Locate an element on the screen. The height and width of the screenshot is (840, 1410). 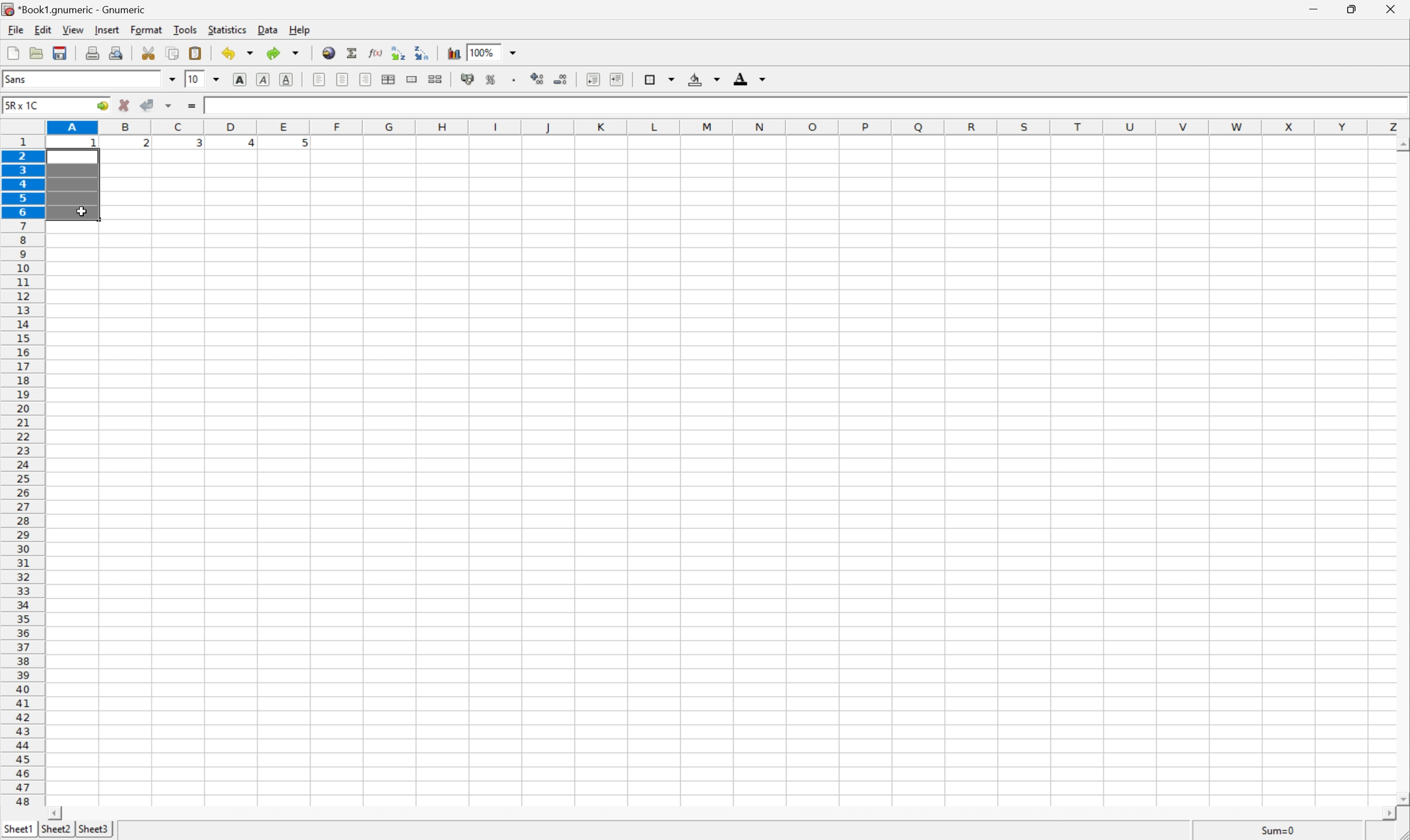
format selection as percentage is located at coordinates (491, 80).